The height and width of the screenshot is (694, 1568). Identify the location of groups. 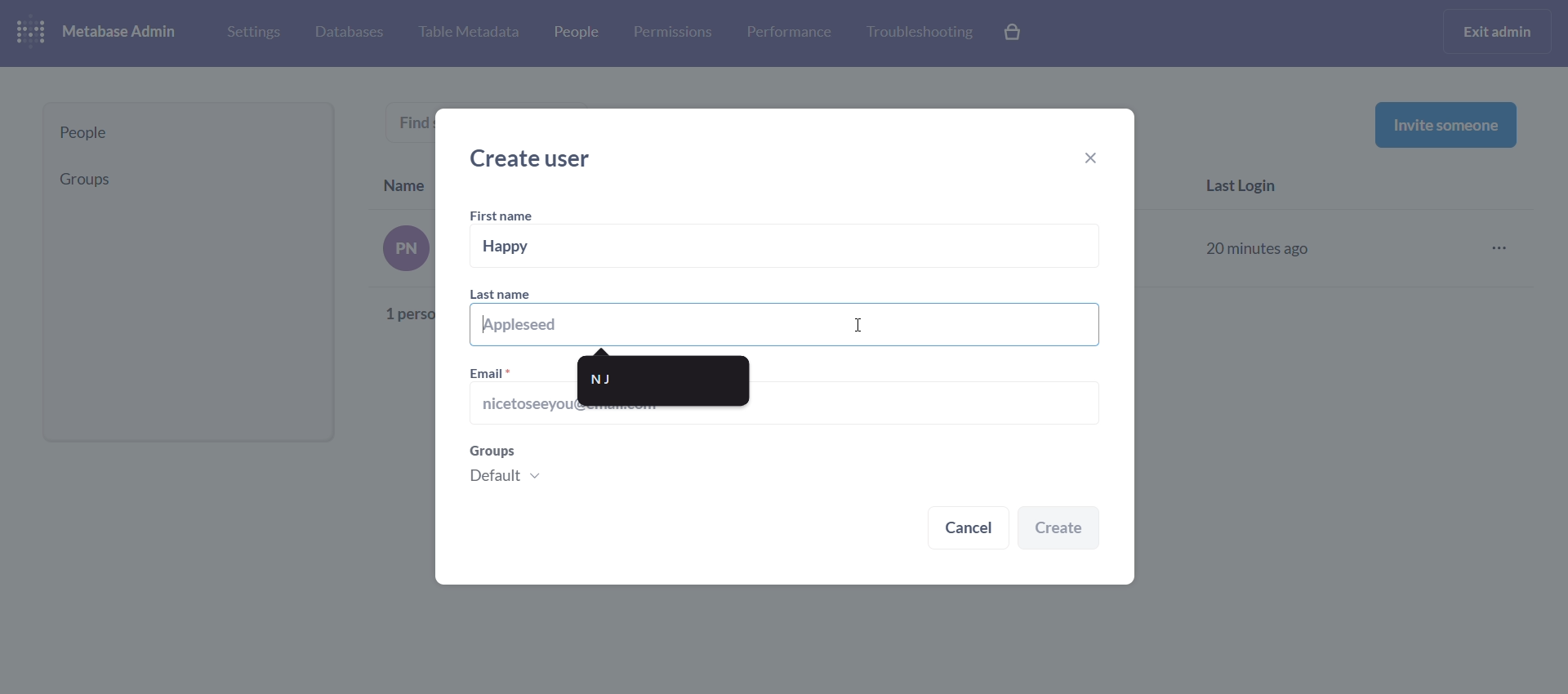
(781, 470).